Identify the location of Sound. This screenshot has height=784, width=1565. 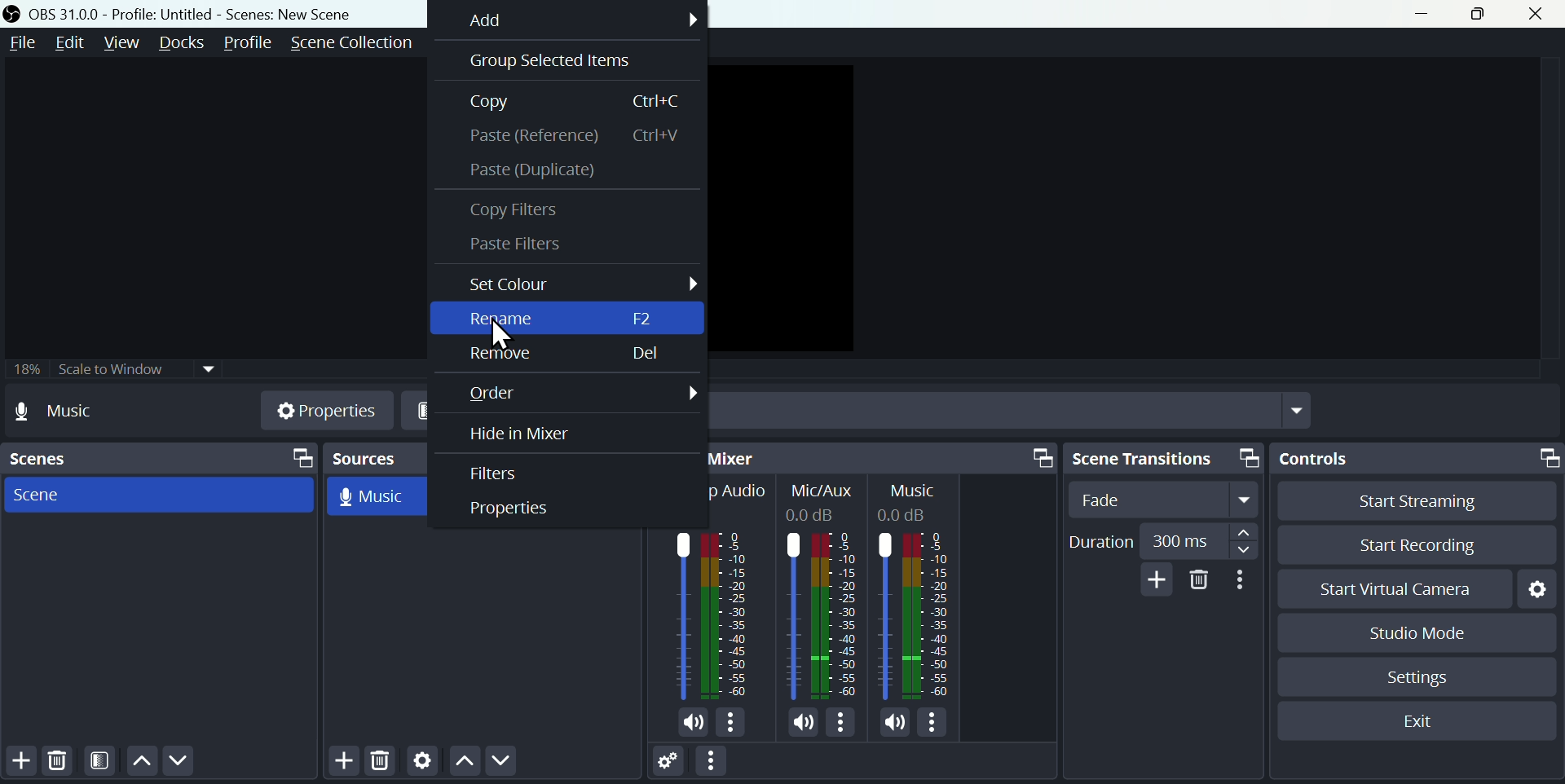
(895, 721).